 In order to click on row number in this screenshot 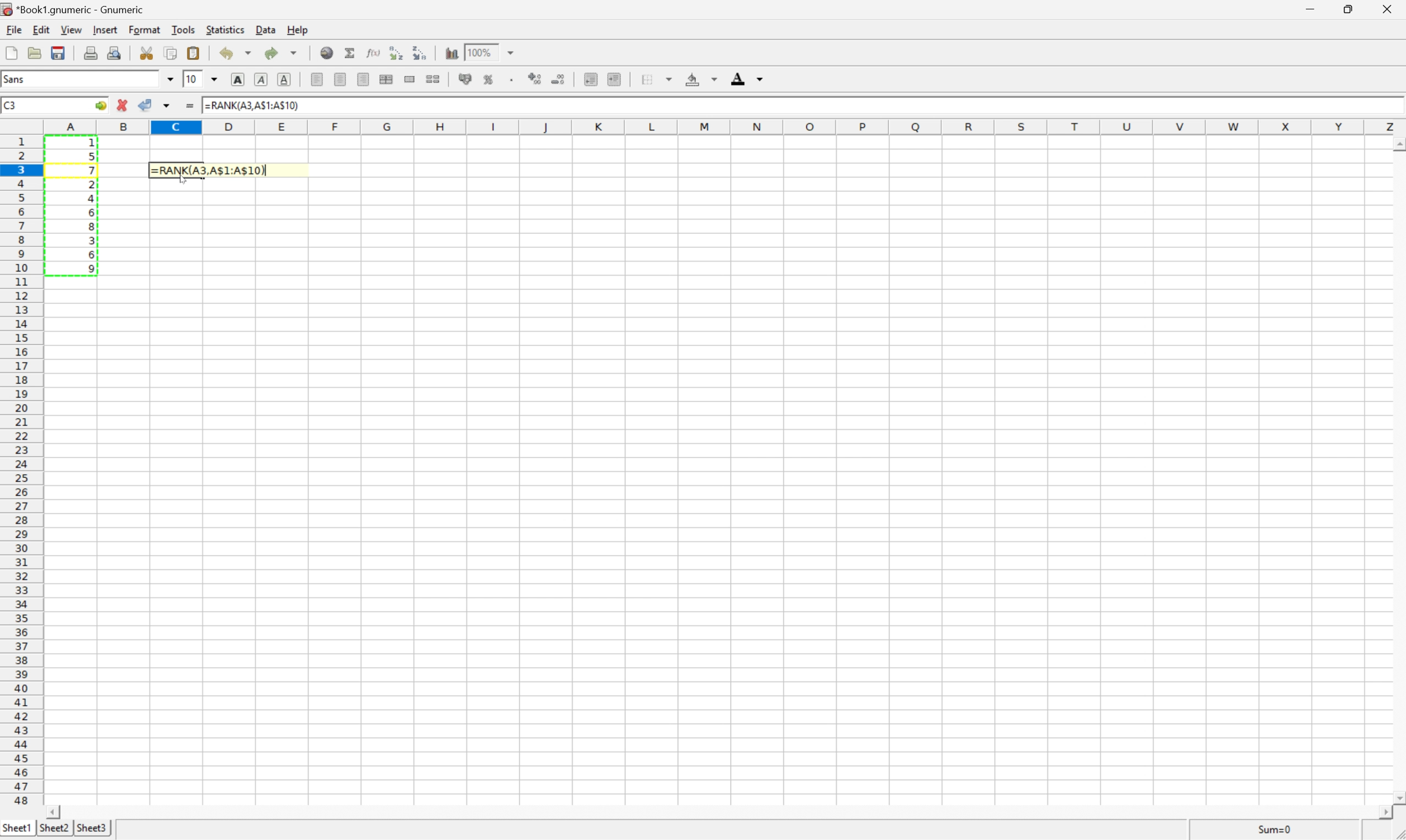, I will do `click(20, 471)`.